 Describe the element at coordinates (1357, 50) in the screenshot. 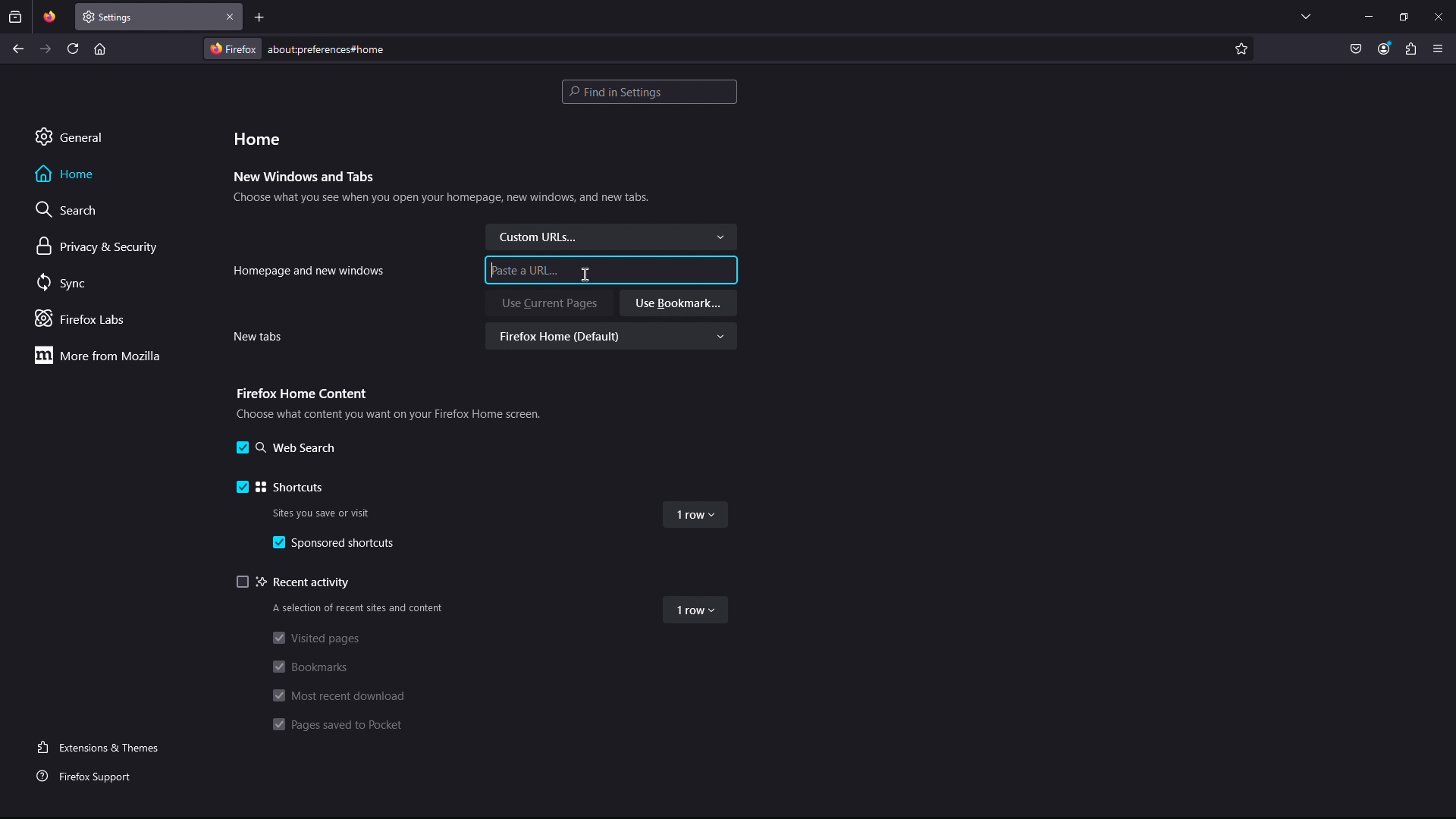

I see `Pocket` at that location.